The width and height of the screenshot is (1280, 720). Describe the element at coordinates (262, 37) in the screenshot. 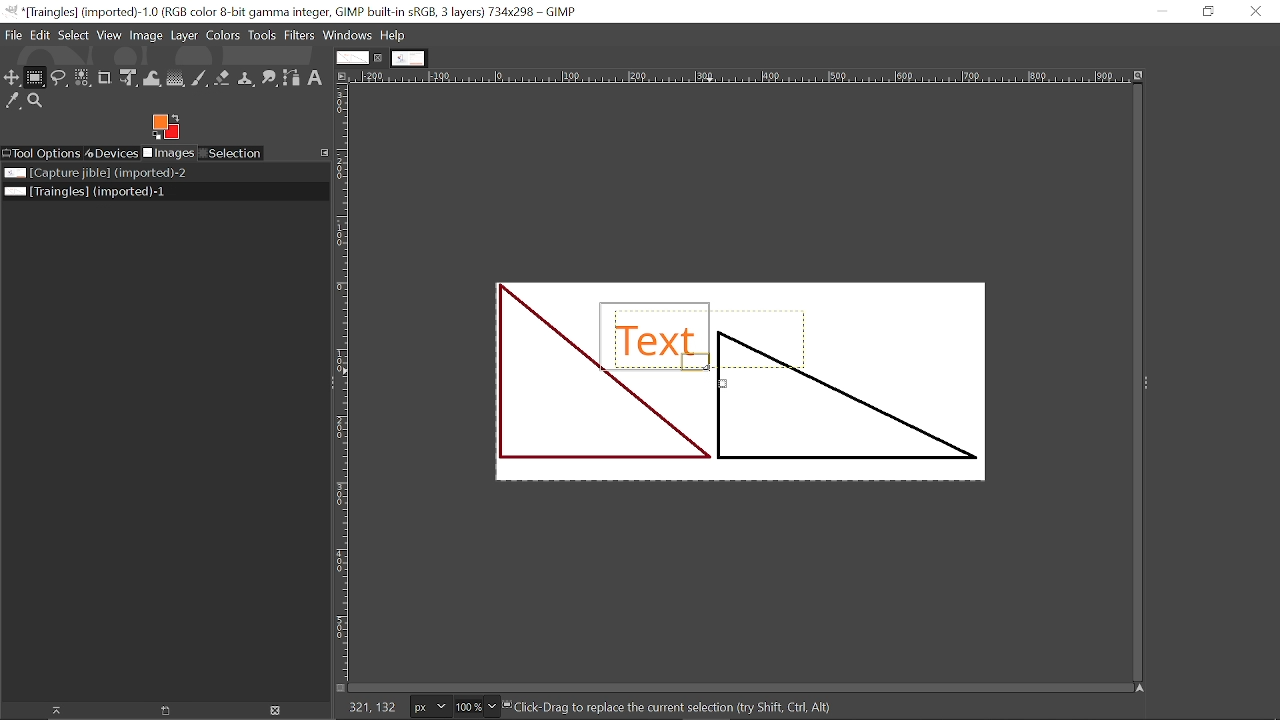

I see `Tools` at that location.